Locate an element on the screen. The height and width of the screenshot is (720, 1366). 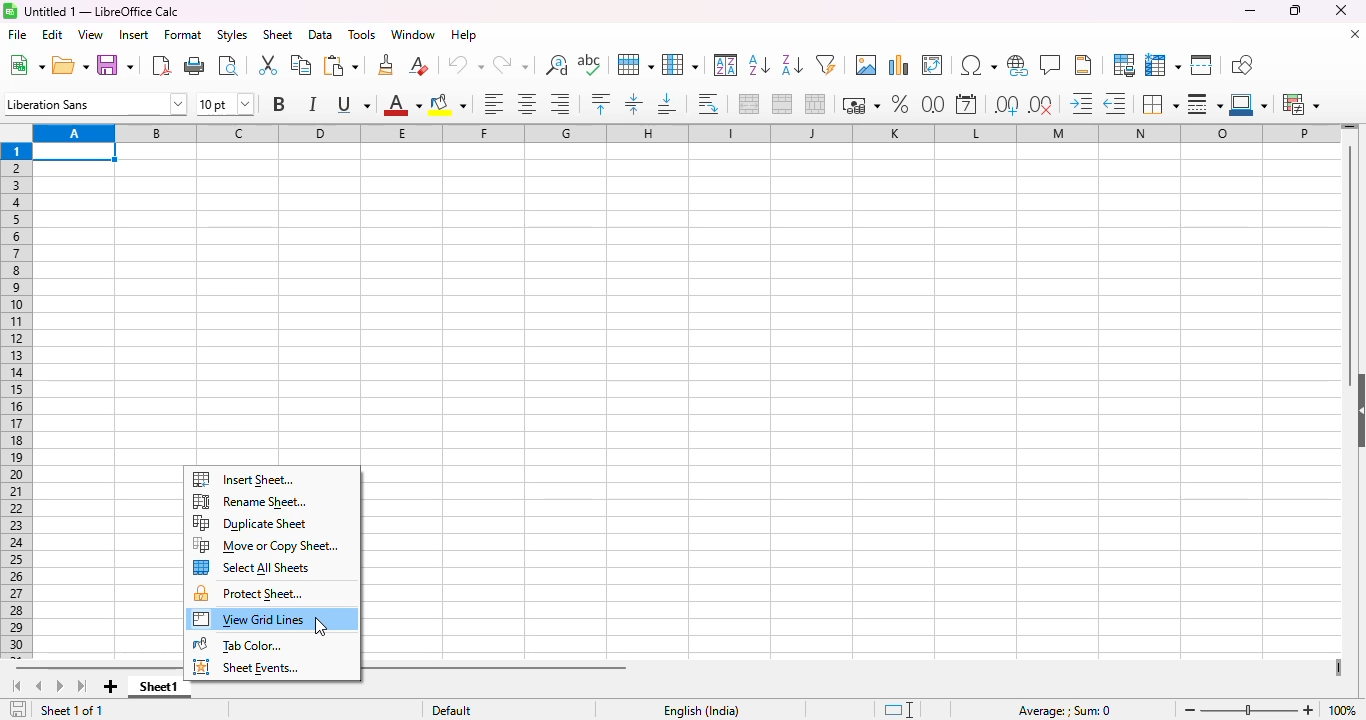
merge and center or unmerge cells depending on the current toggle state is located at coordinates (750, 104).